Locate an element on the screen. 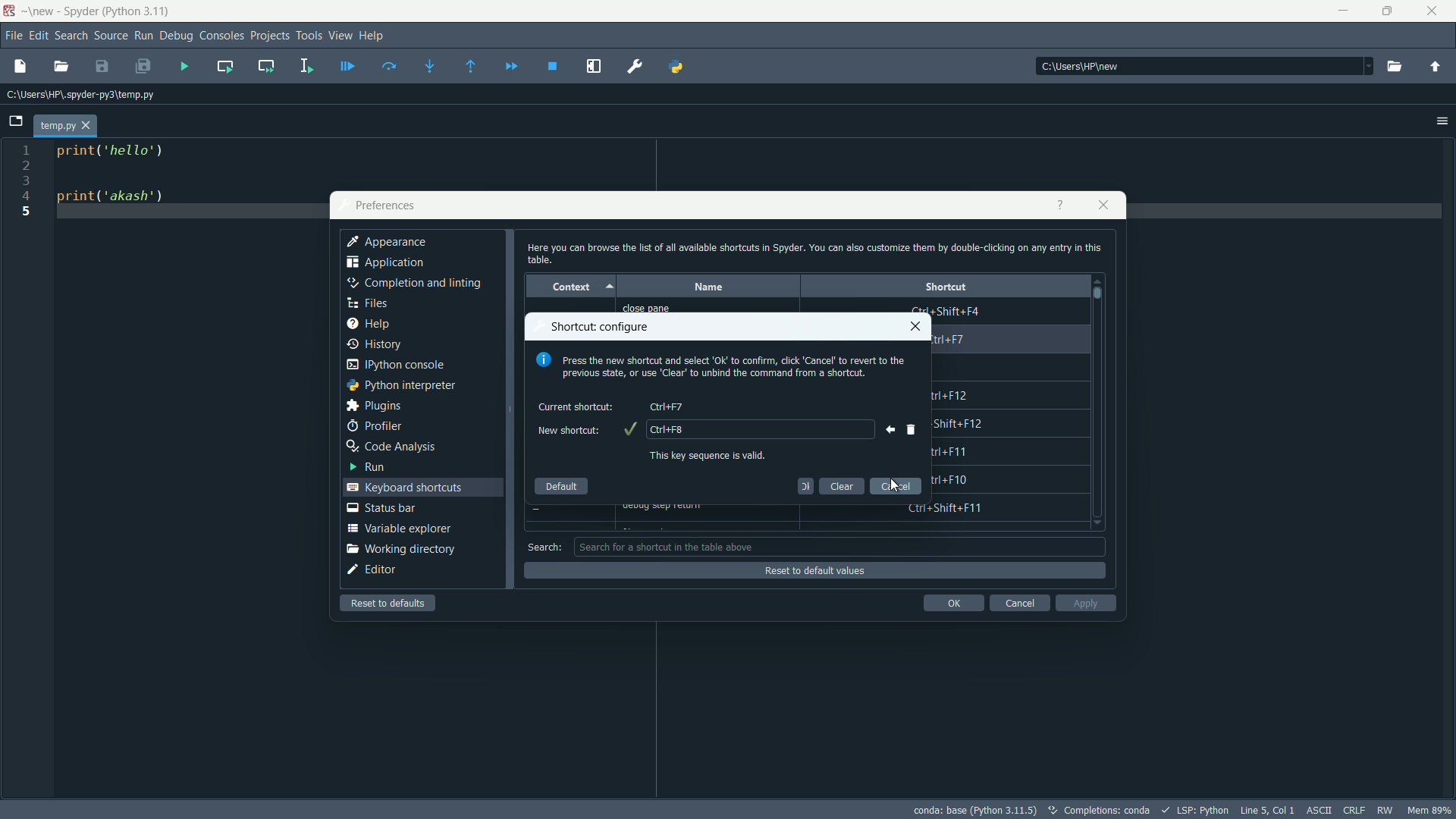  run current cell and go to next one is located at coordinates (266, 65).